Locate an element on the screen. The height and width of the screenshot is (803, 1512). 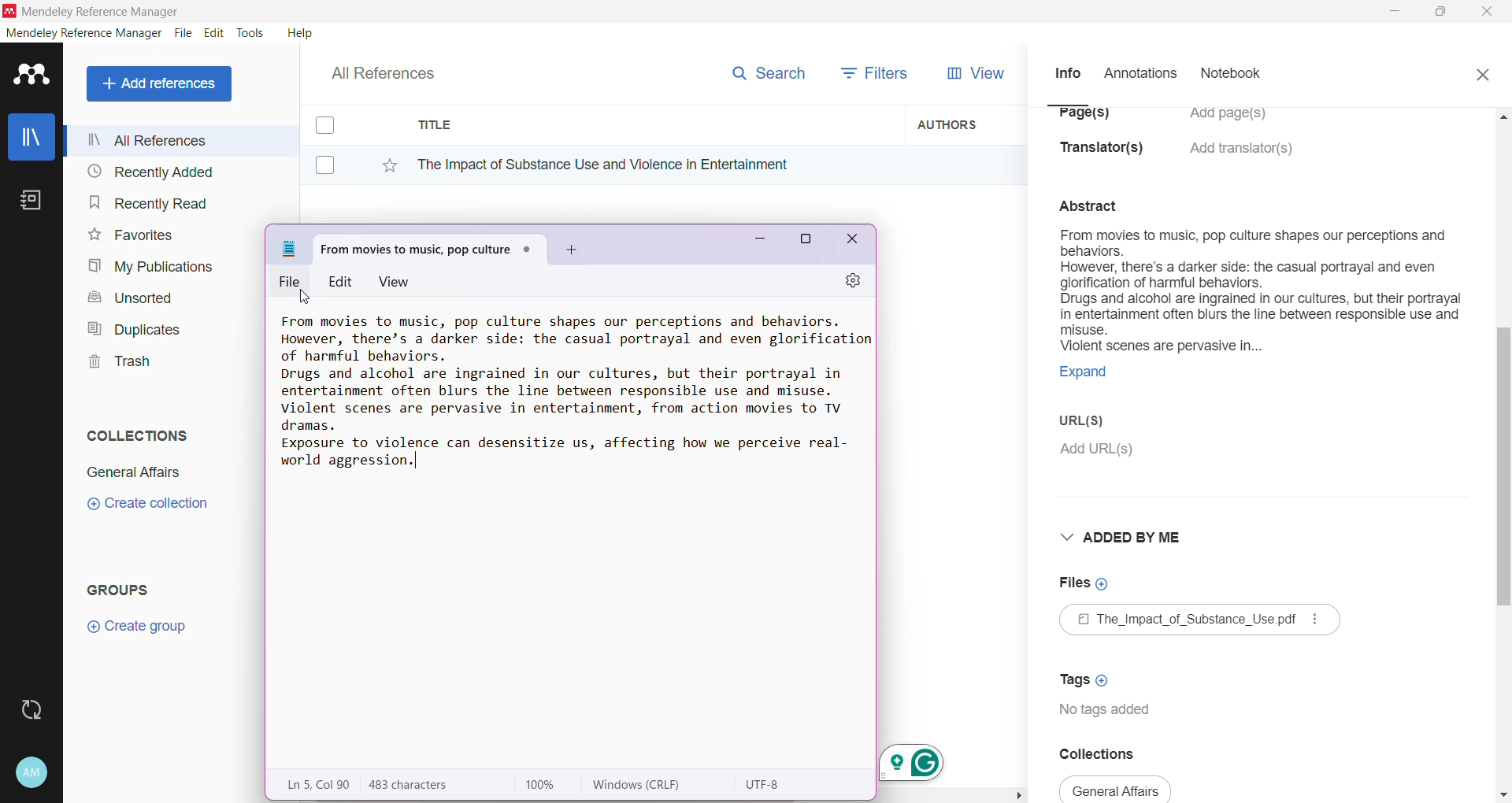
File is located at coordinates (183, 34).